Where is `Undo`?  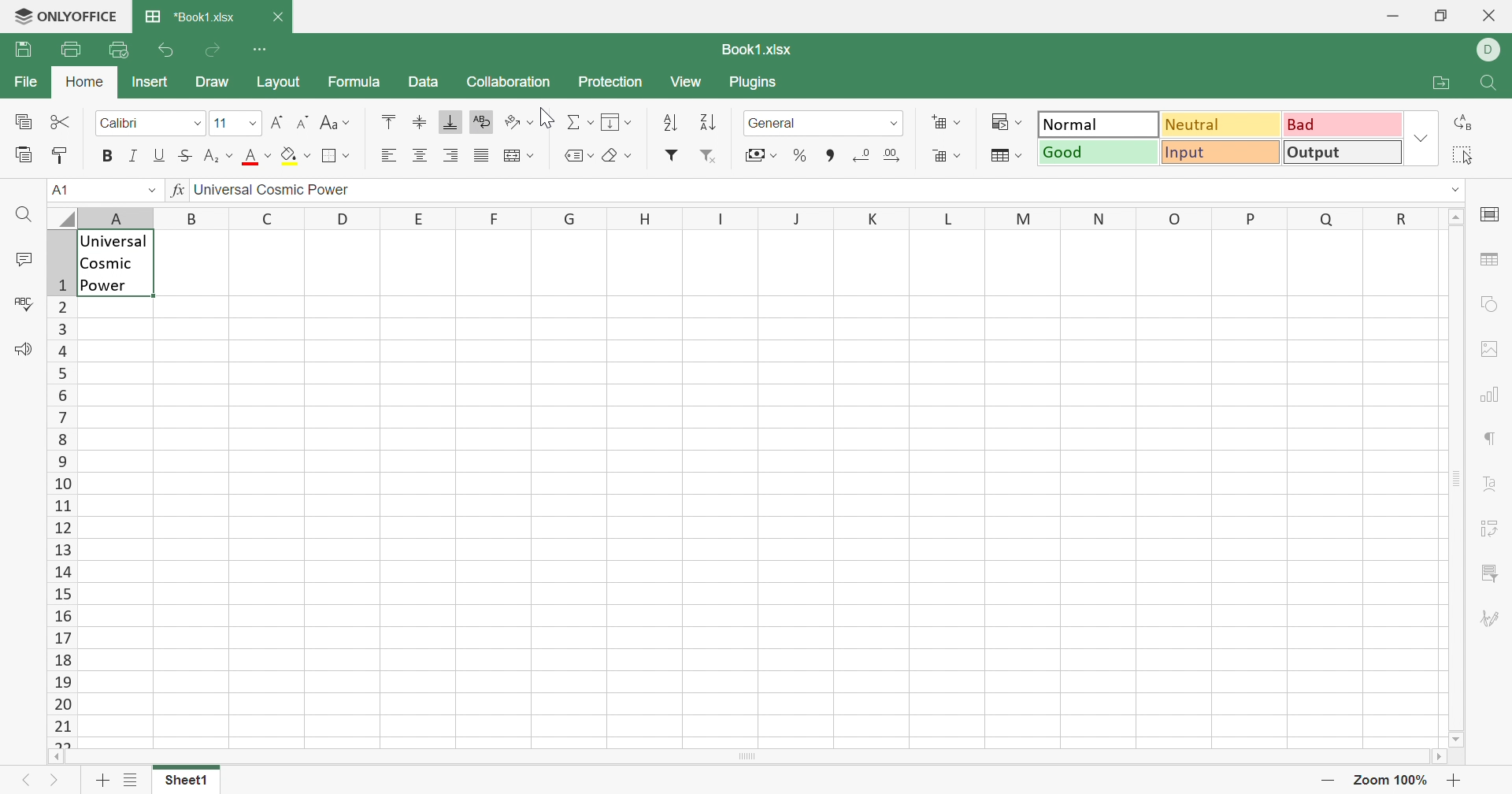 Undo is located at coordinates (165, 50).